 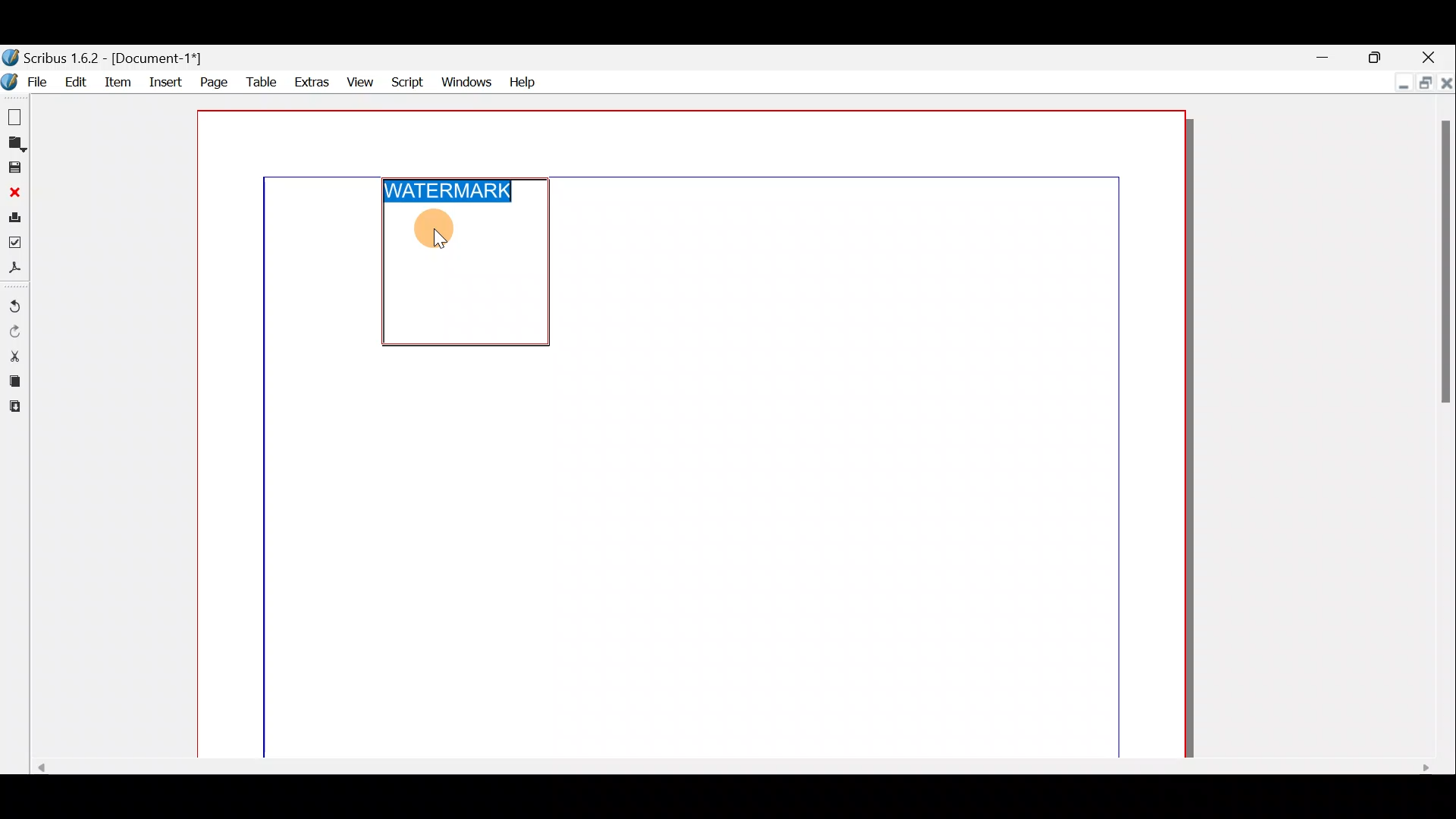 What do you see at coordinates (1399, 83) in the screenshot?
I see `Minimise` at bounding box center [1399, 83].